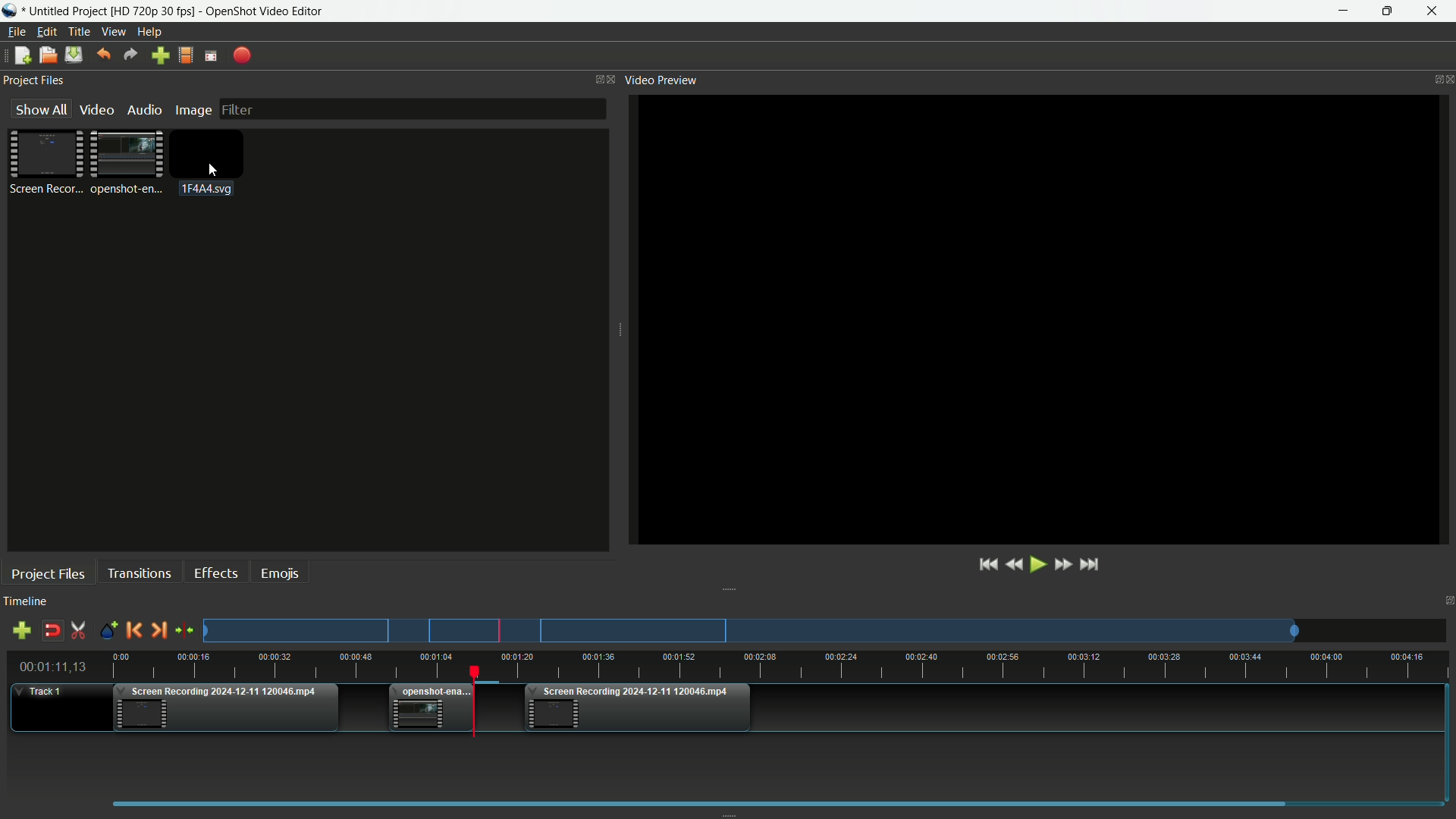 The height and width of the screenshot is (819, 1456). Describe the element at coordinates (781, 667) in the screenshot. I see `timeline ruler` at that location.